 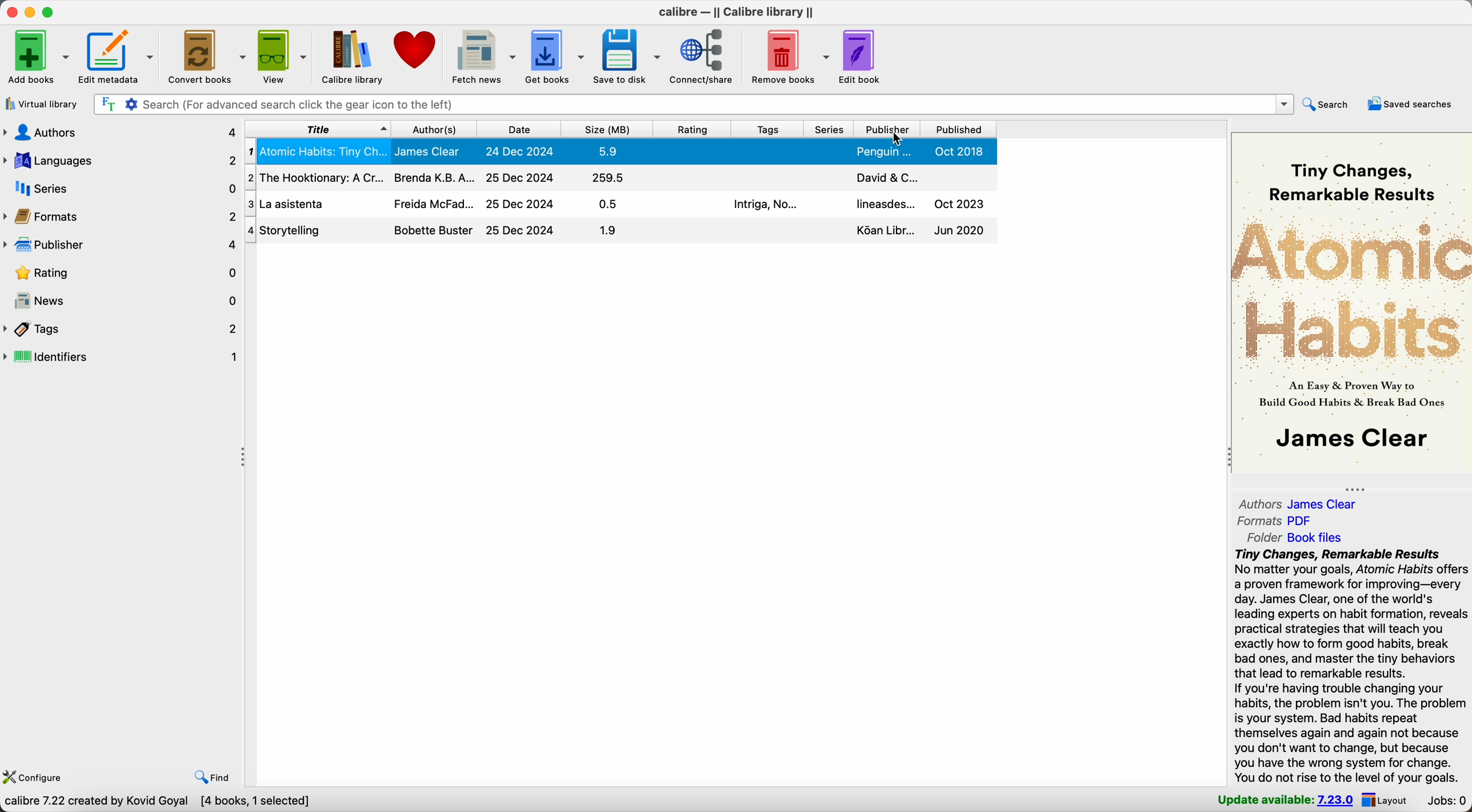 What do you see at coordinates (608, 129) in the screenshot?
I see `size` at bounding box center [608, 129].